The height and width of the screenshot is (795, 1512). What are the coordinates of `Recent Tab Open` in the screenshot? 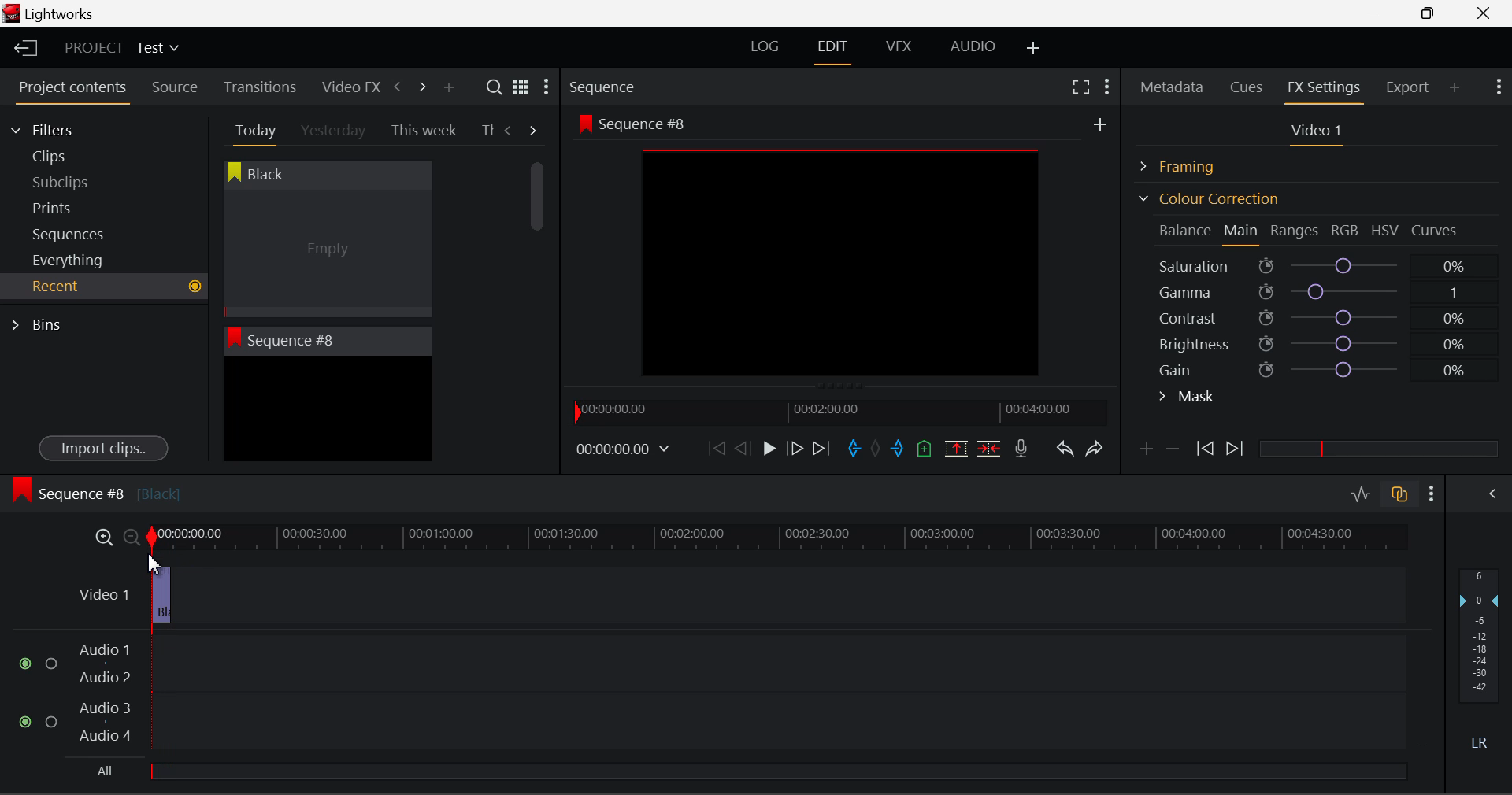 It's located at (104, 287).